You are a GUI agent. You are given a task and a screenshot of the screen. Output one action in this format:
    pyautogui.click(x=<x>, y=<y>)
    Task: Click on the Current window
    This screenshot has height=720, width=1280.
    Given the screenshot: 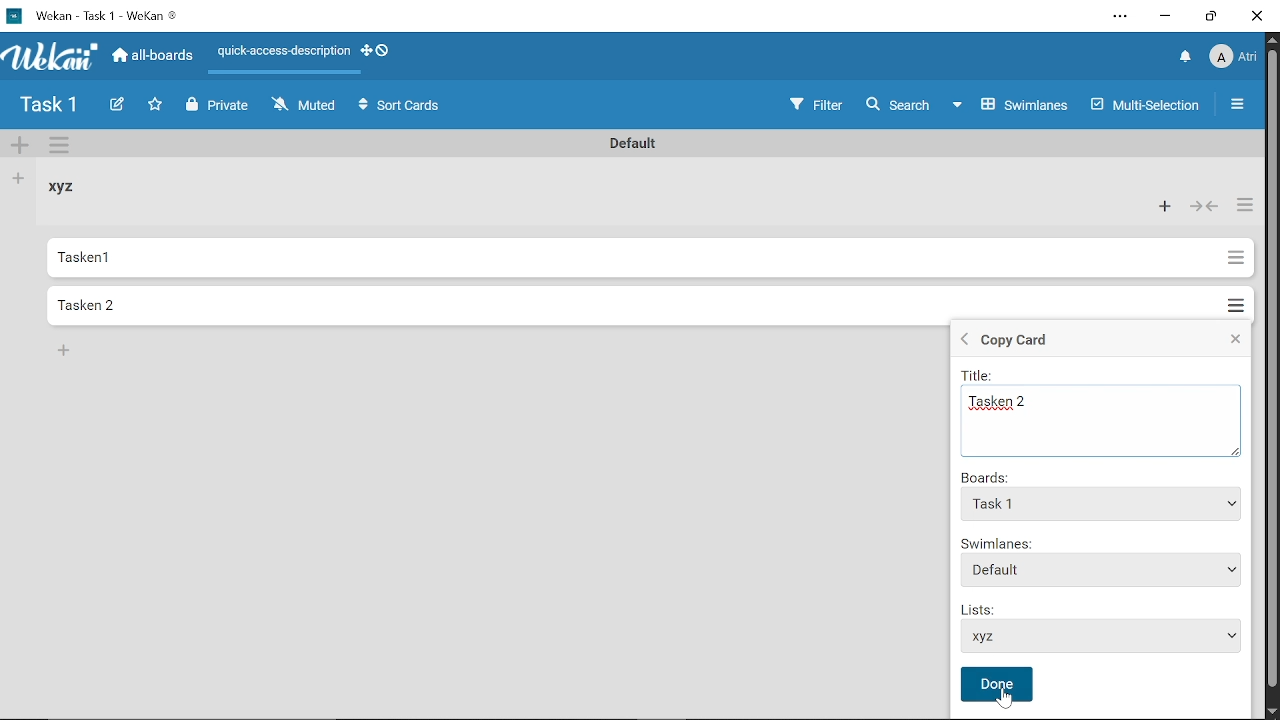 What is the action you would take?
    pyautogui.click(x=102, y=16)
    